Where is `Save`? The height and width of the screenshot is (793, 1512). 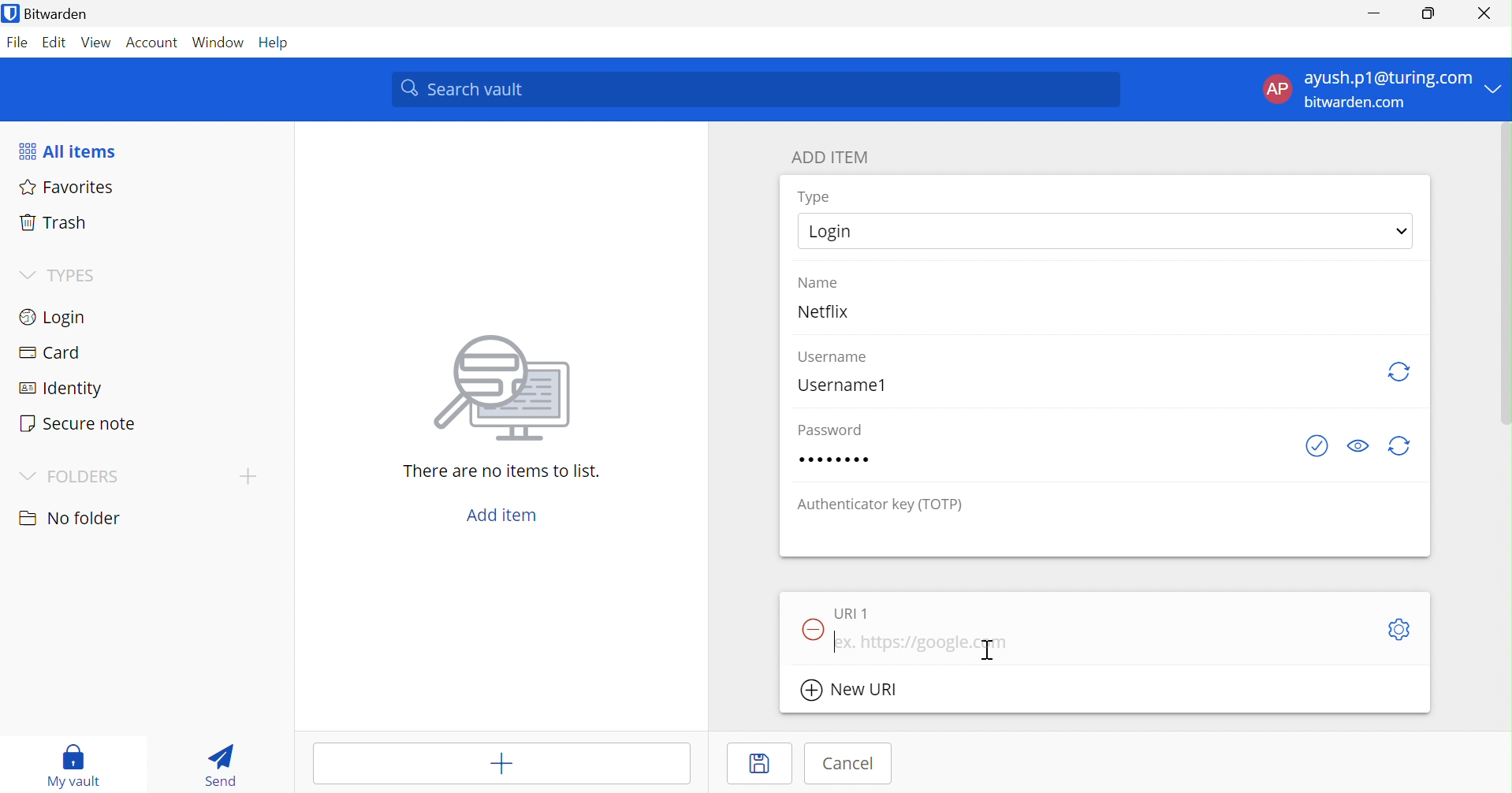 Save is located at coordinates (761, 761).